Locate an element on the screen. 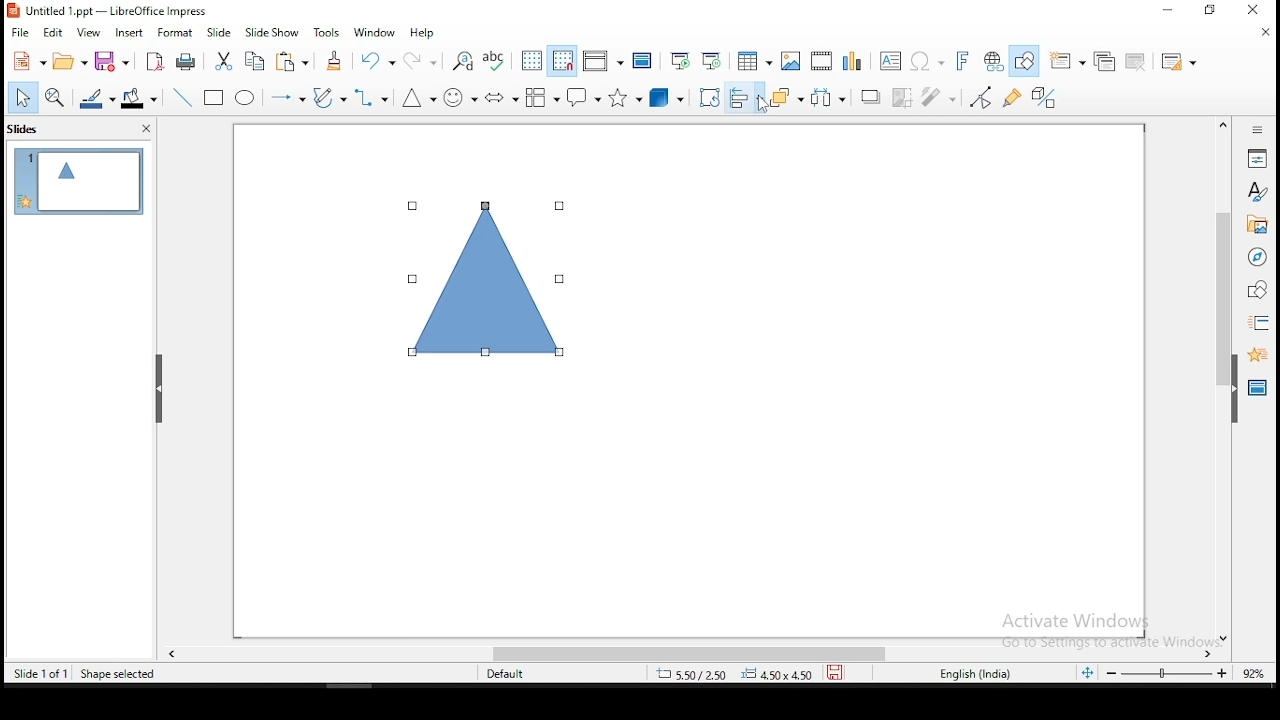  styles is located at coordinates (1258, 194).